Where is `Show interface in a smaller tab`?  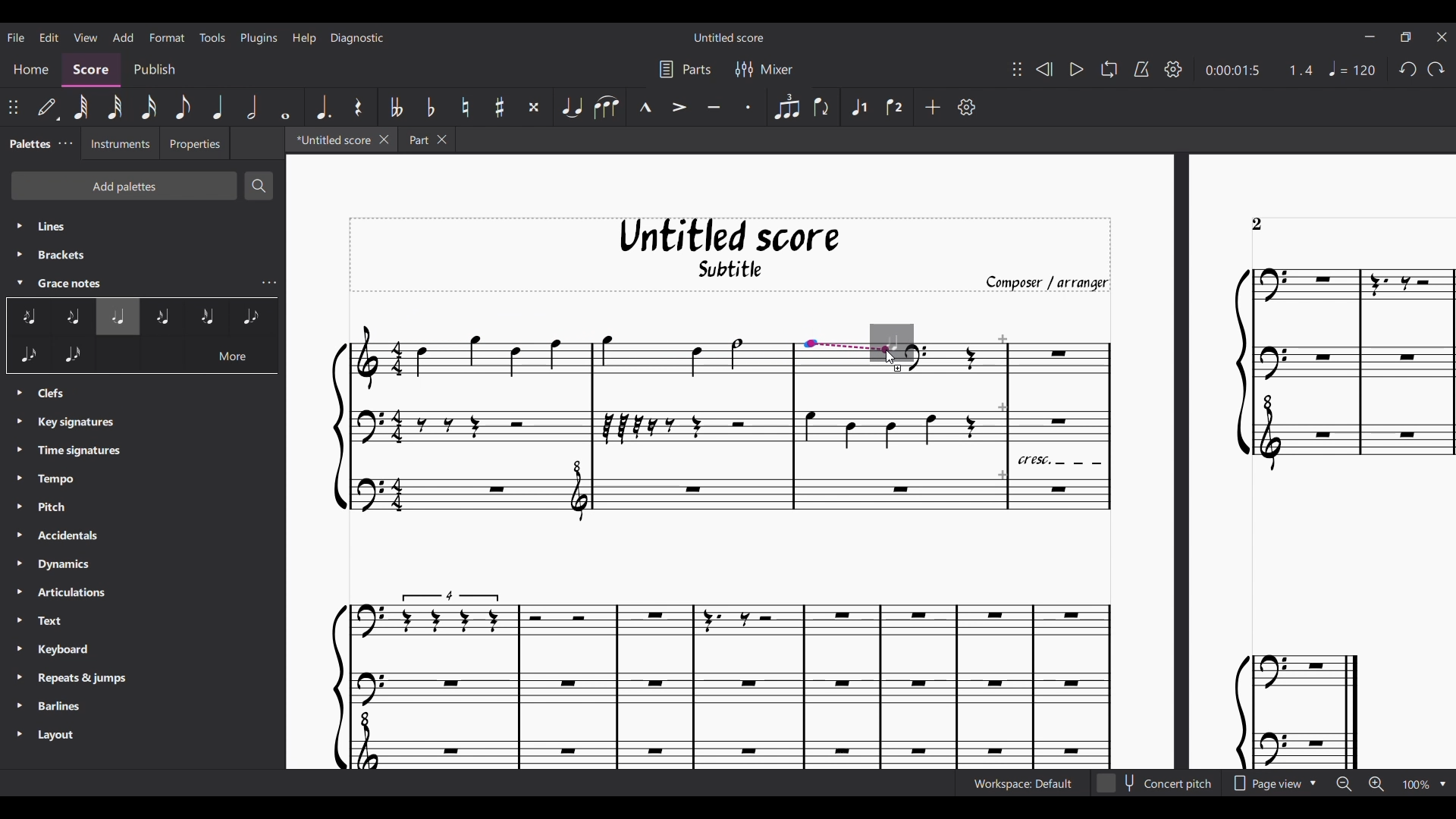
Show interface in a smaller tab is located at coordinates (1405, 37).